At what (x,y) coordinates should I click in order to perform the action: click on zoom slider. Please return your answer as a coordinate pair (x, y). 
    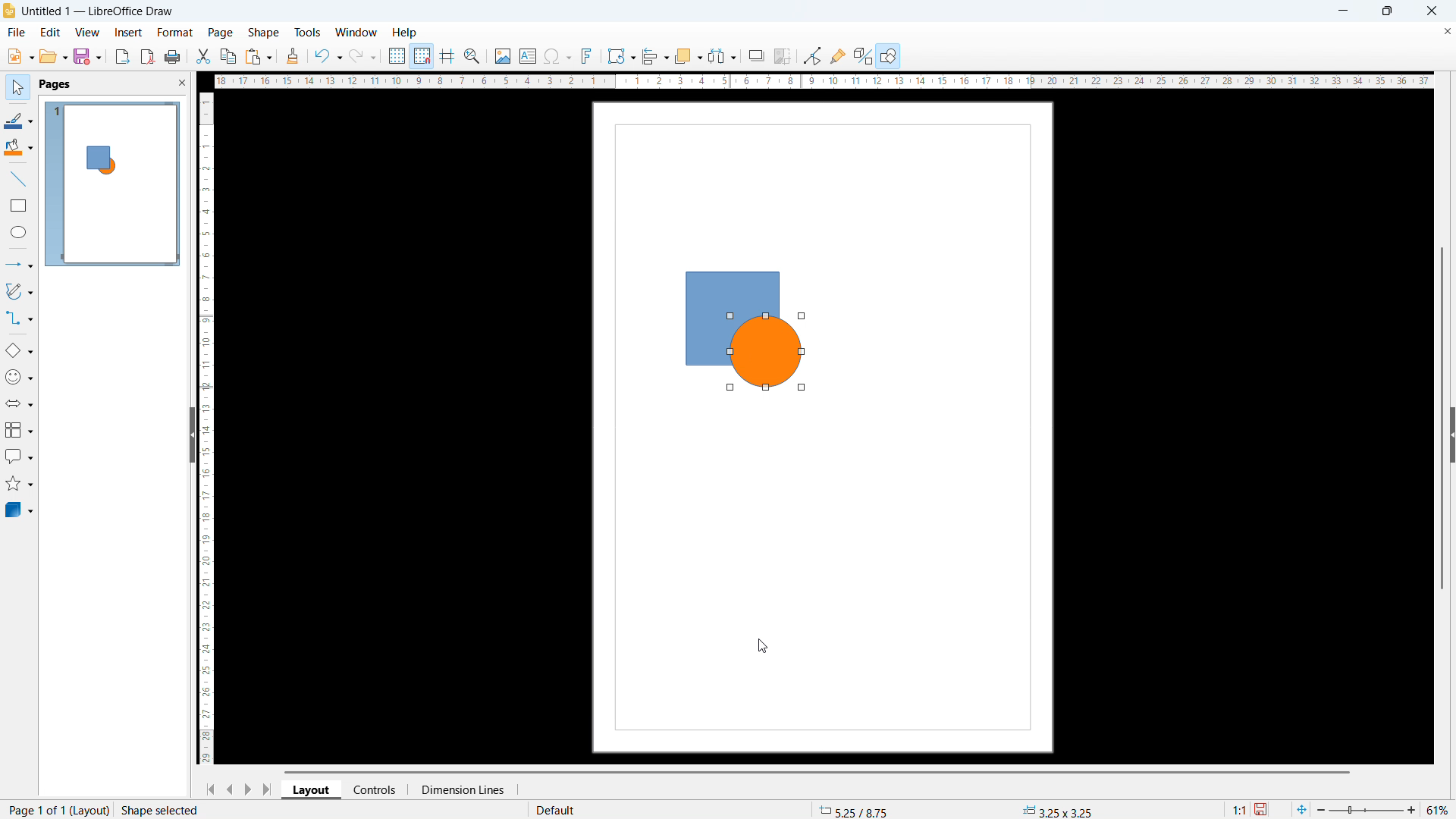
    Looking at the image, I should click on (1367, 809).